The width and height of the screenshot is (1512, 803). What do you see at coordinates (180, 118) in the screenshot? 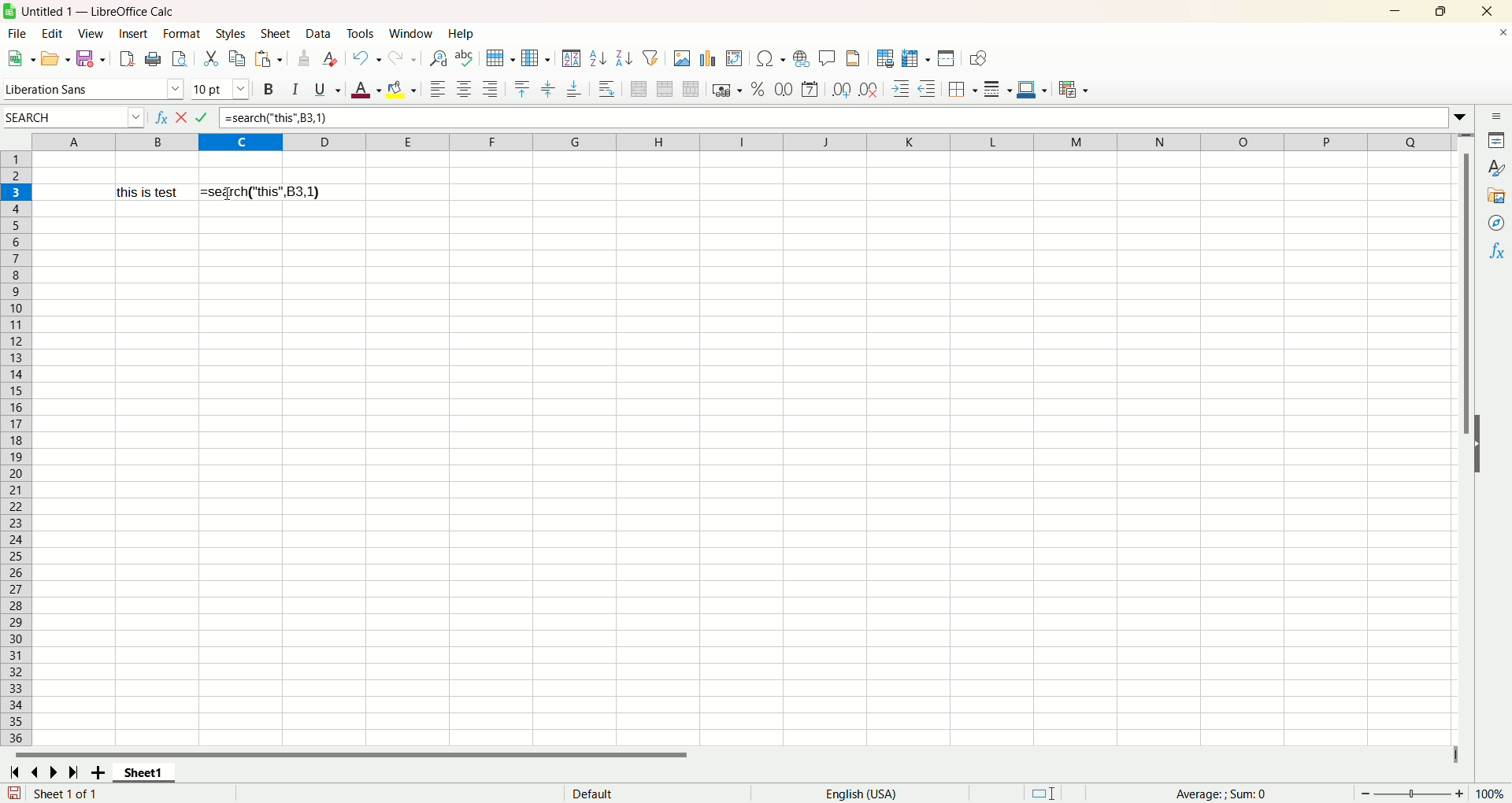
I see `cancel` at bounding box center [180, 118].